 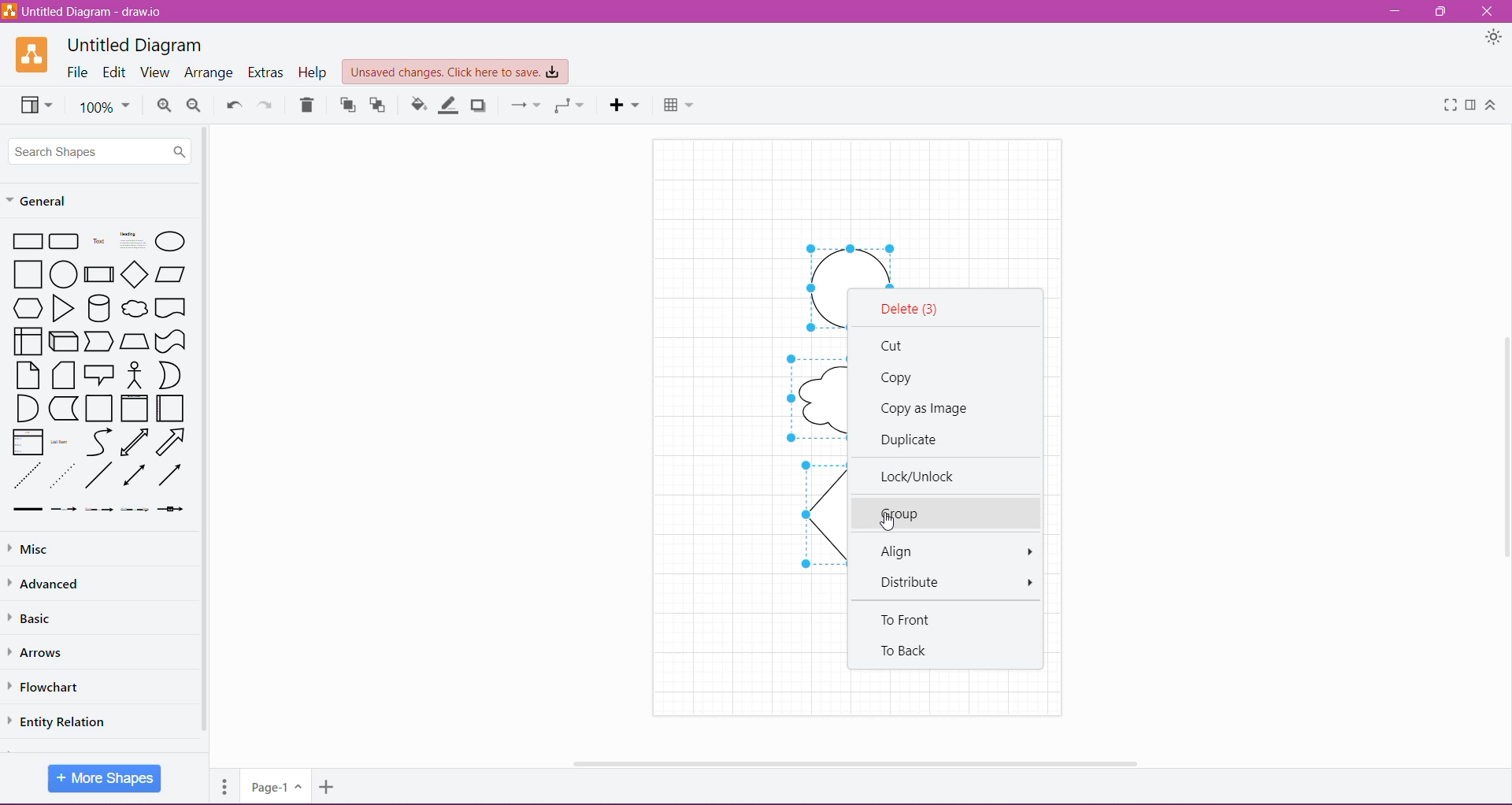 I want to click on Undo, so click(x=232, y=103).